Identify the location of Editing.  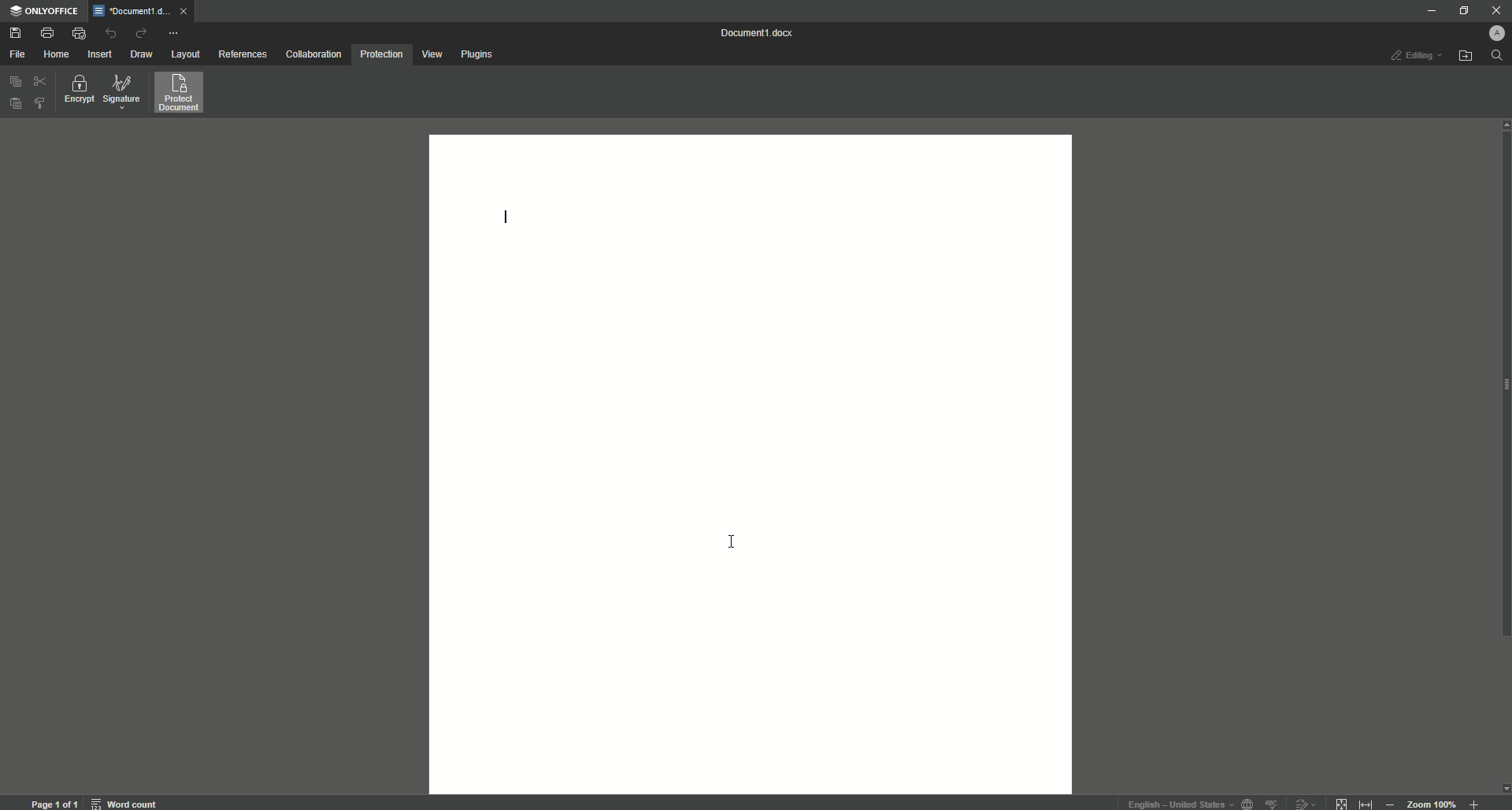
(1415, 57).